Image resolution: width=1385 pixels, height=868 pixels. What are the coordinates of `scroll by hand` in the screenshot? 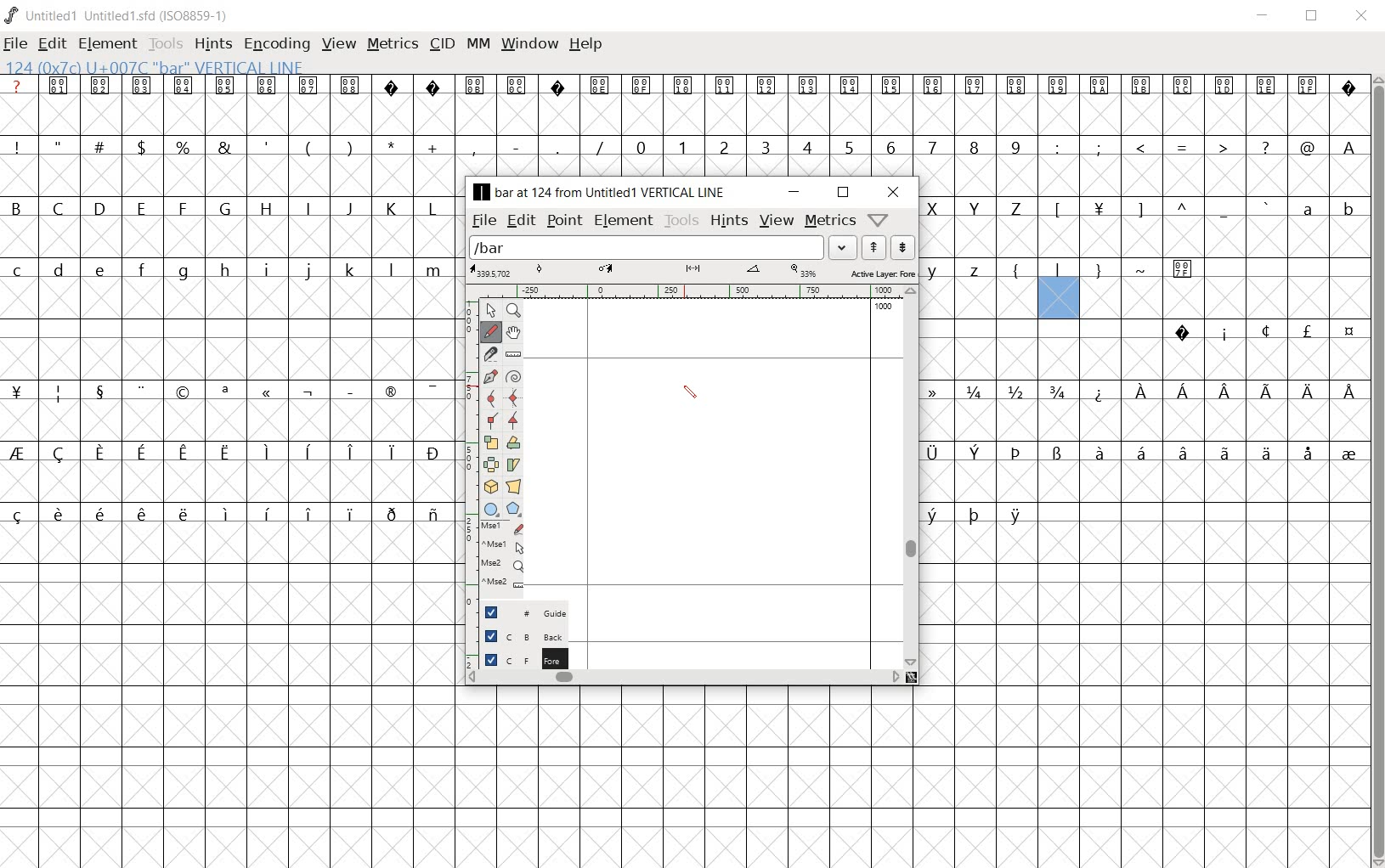 It's located at (513, 332).